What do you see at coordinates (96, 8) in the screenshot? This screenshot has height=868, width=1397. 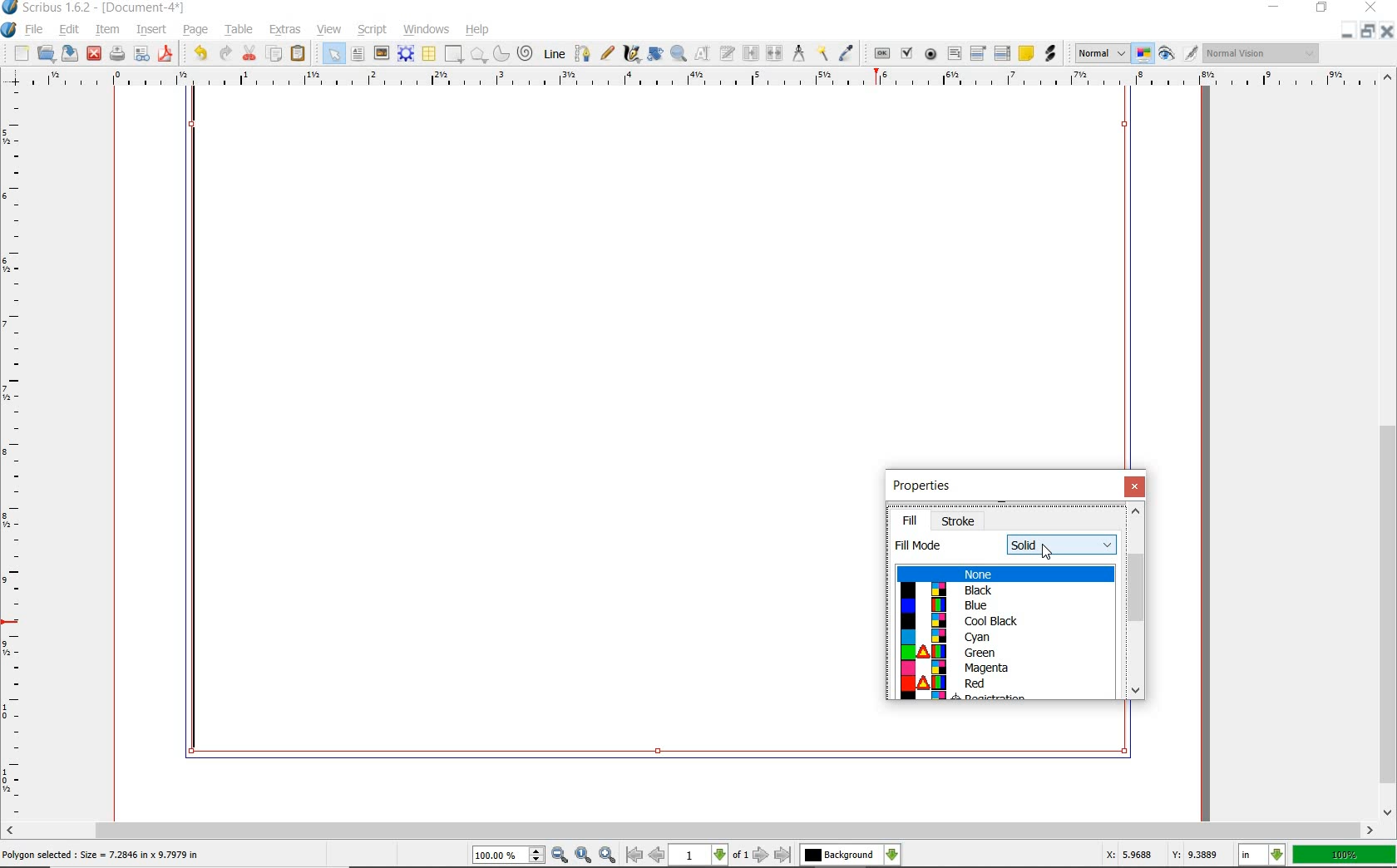 I see `Scribus 1.6.2 - [Document-4*]` at bounding box center [96, 8].